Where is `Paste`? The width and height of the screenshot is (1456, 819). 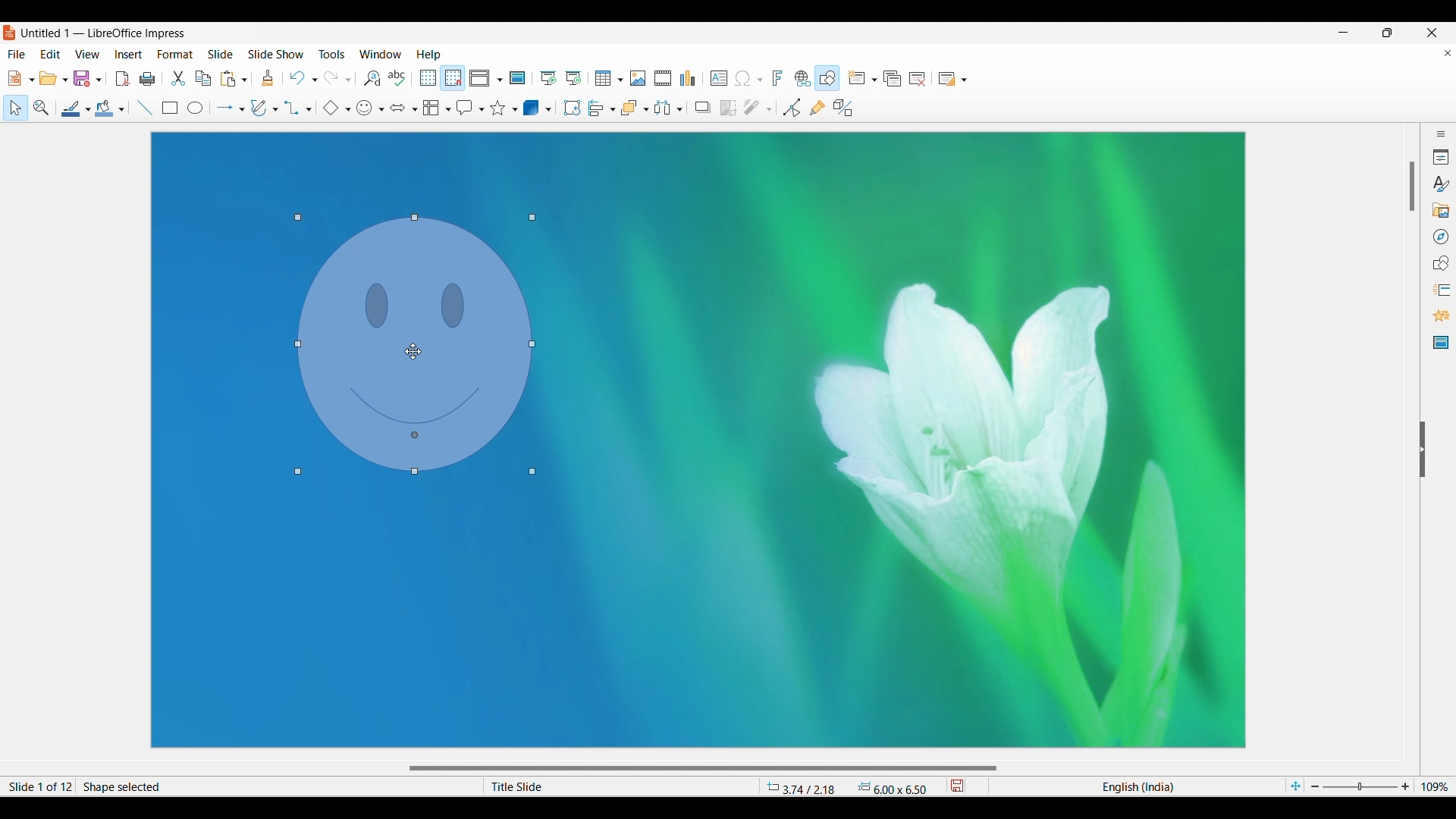
Paste is located at coordinates (228, 80).